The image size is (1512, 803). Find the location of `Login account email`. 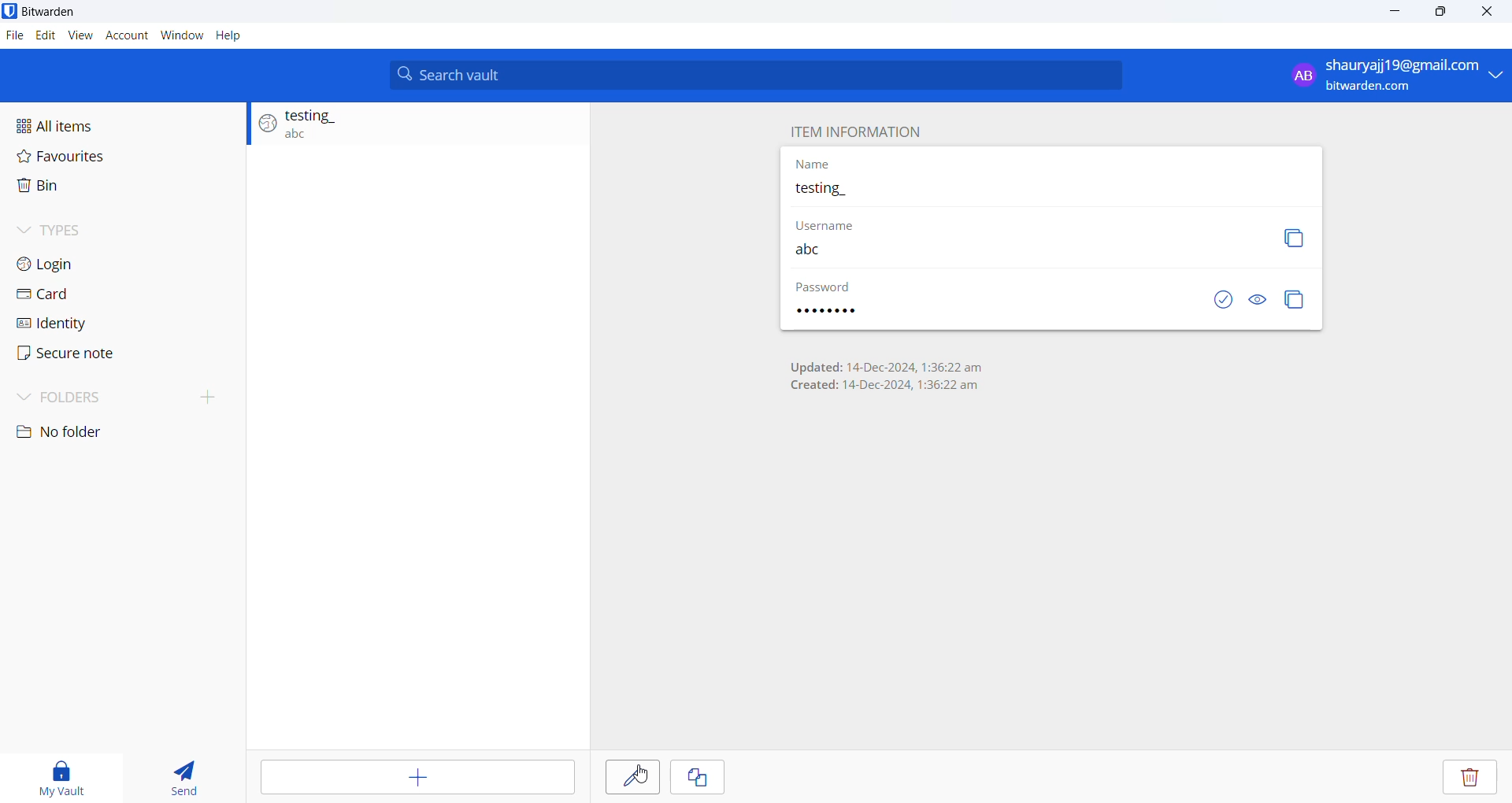

Login account email is located at coordinates (1392, 75).